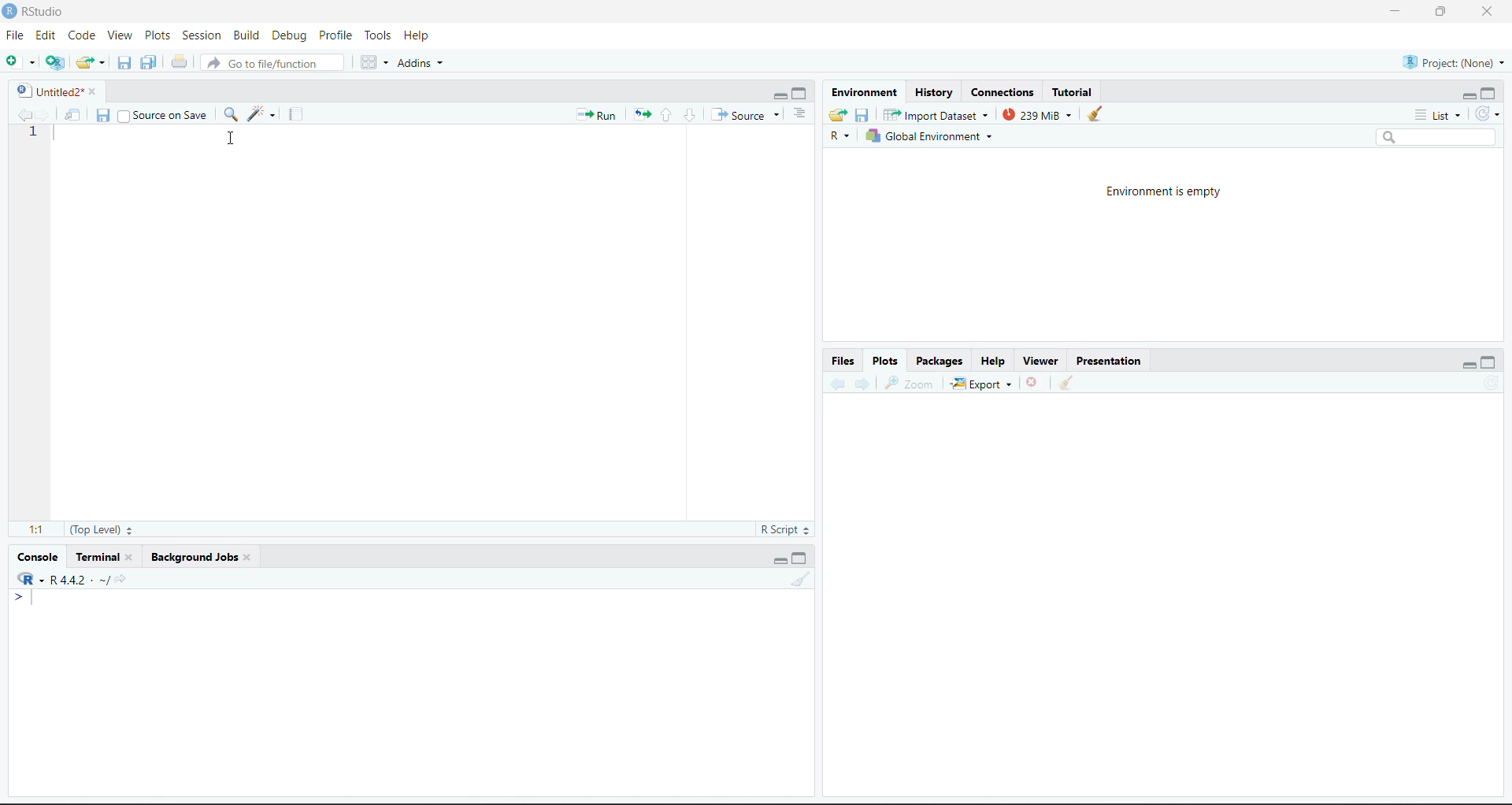 The height and width of the screenshot is (805, 1512). Describe the element at coordinates (178, 61) in the screenshot. I see `Print the current file` at that location.